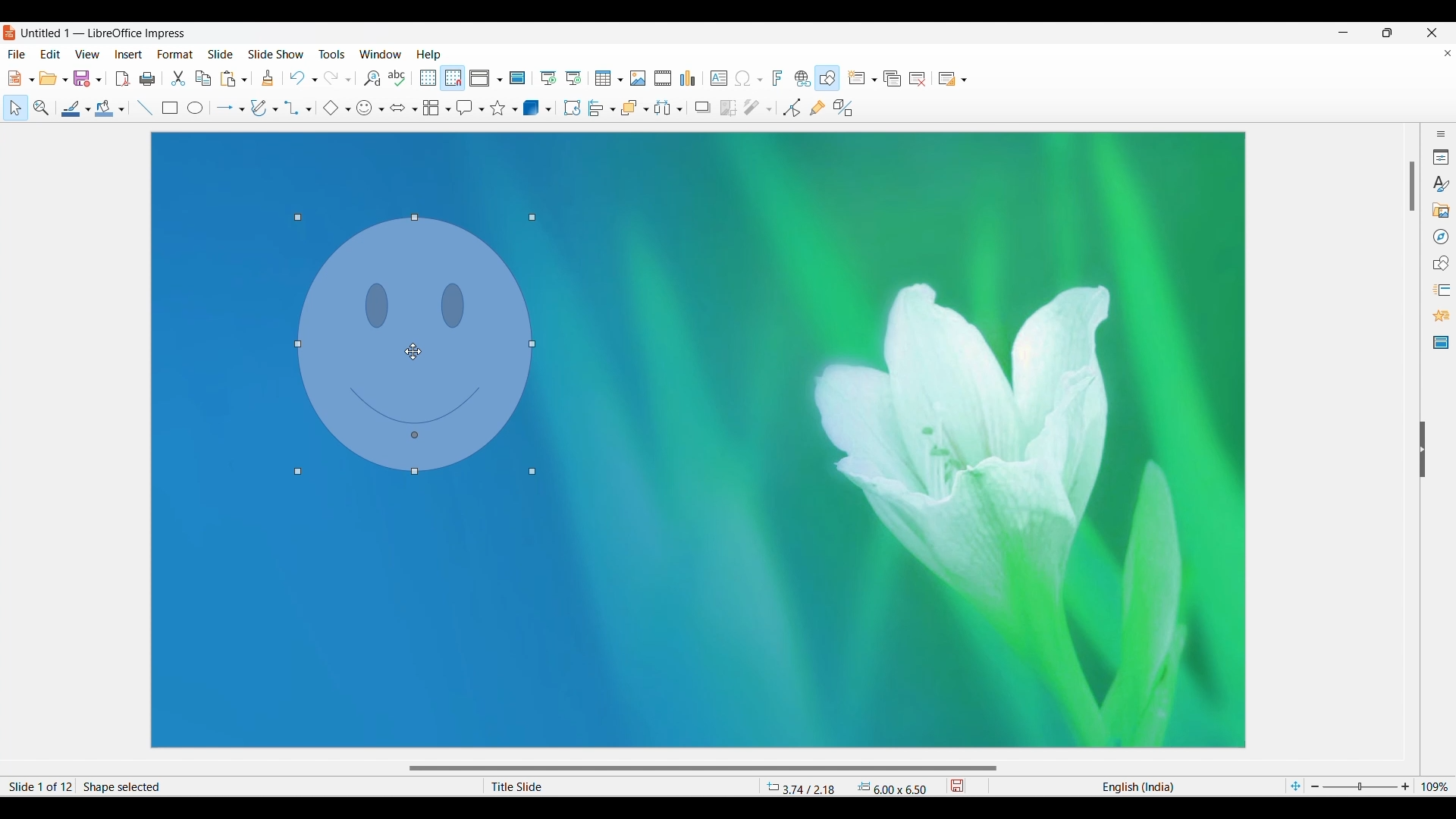 This screenshot has width=1456, height=819. What do you see at coordinates (244, 80) in the screenshot?
I see `Paste options` at bounding box center [244, 80].